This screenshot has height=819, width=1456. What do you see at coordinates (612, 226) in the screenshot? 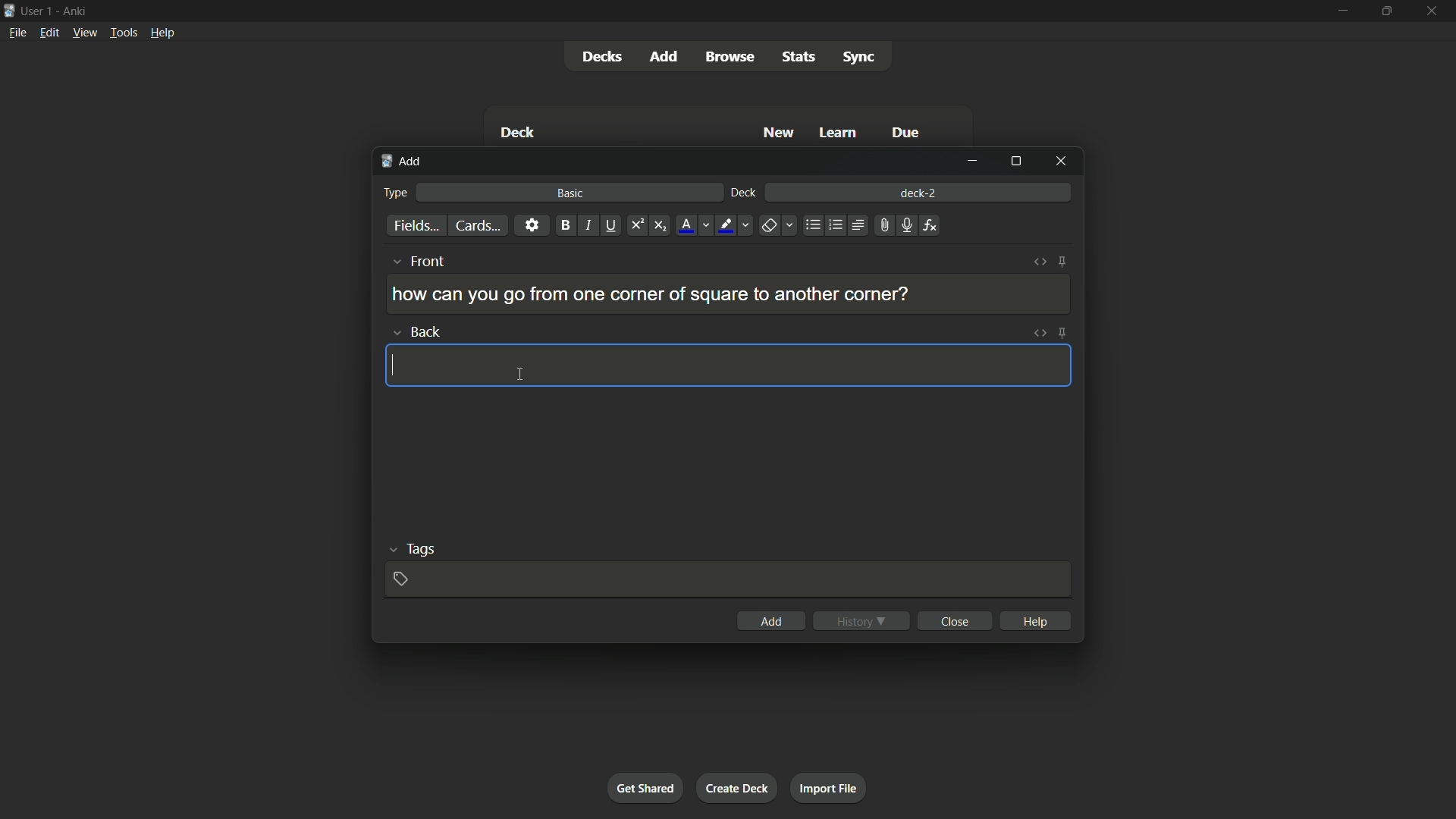
I see `underline` at bounding box center [612, 226].